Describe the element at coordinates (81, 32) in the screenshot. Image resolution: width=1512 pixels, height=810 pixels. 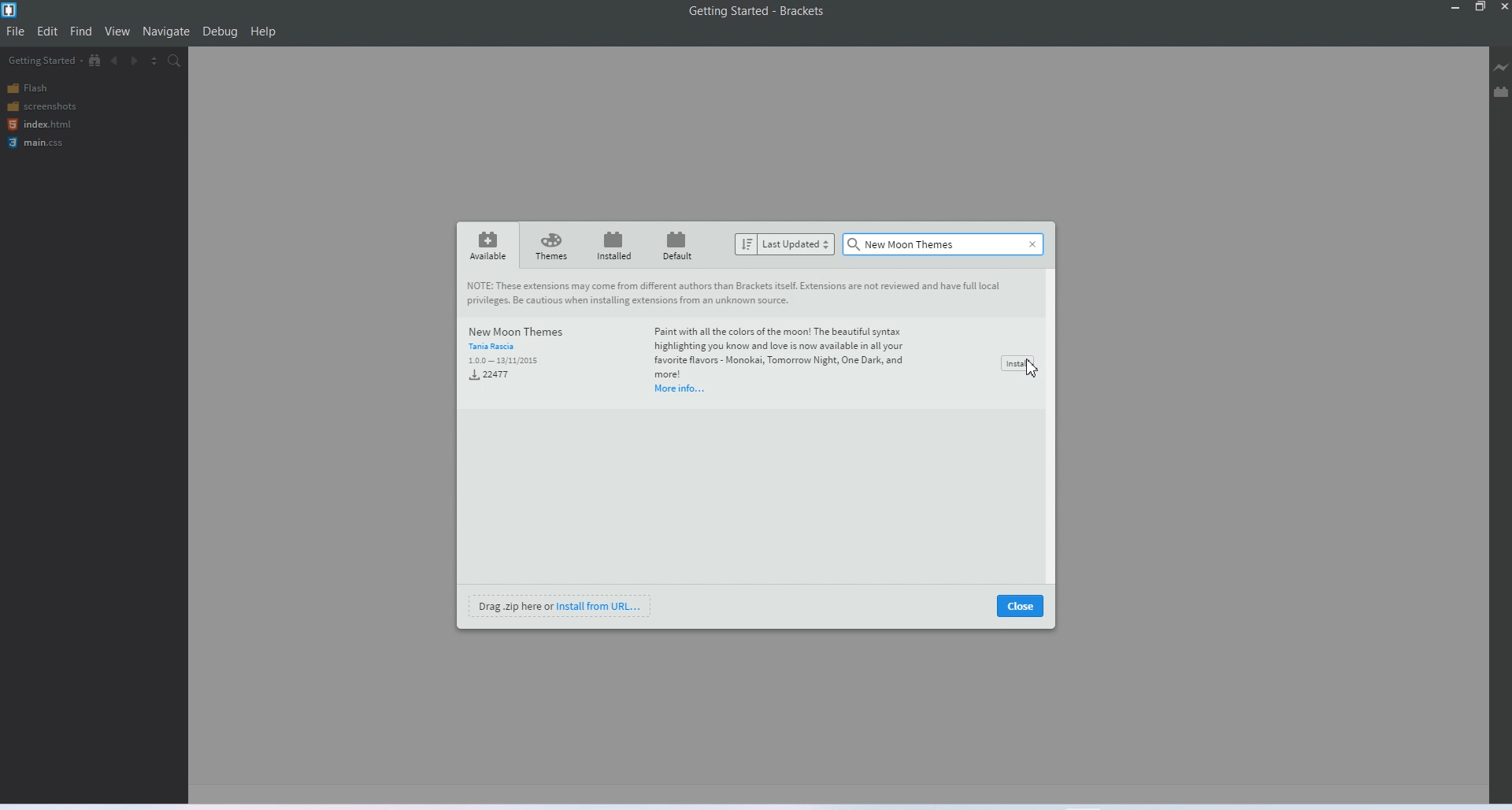
I see `Find` at that location.